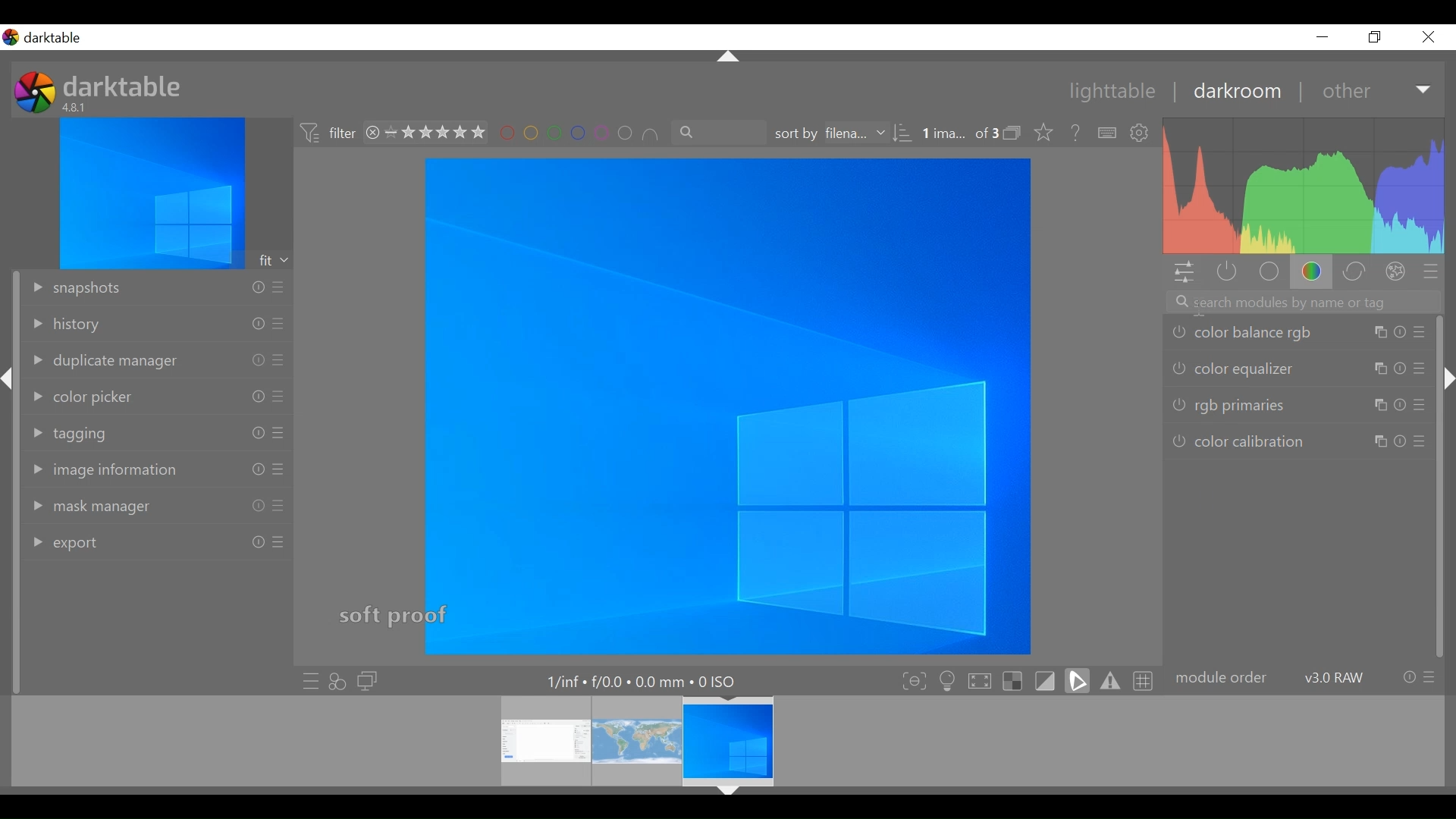  I want to click on version, so click(1335, 677).